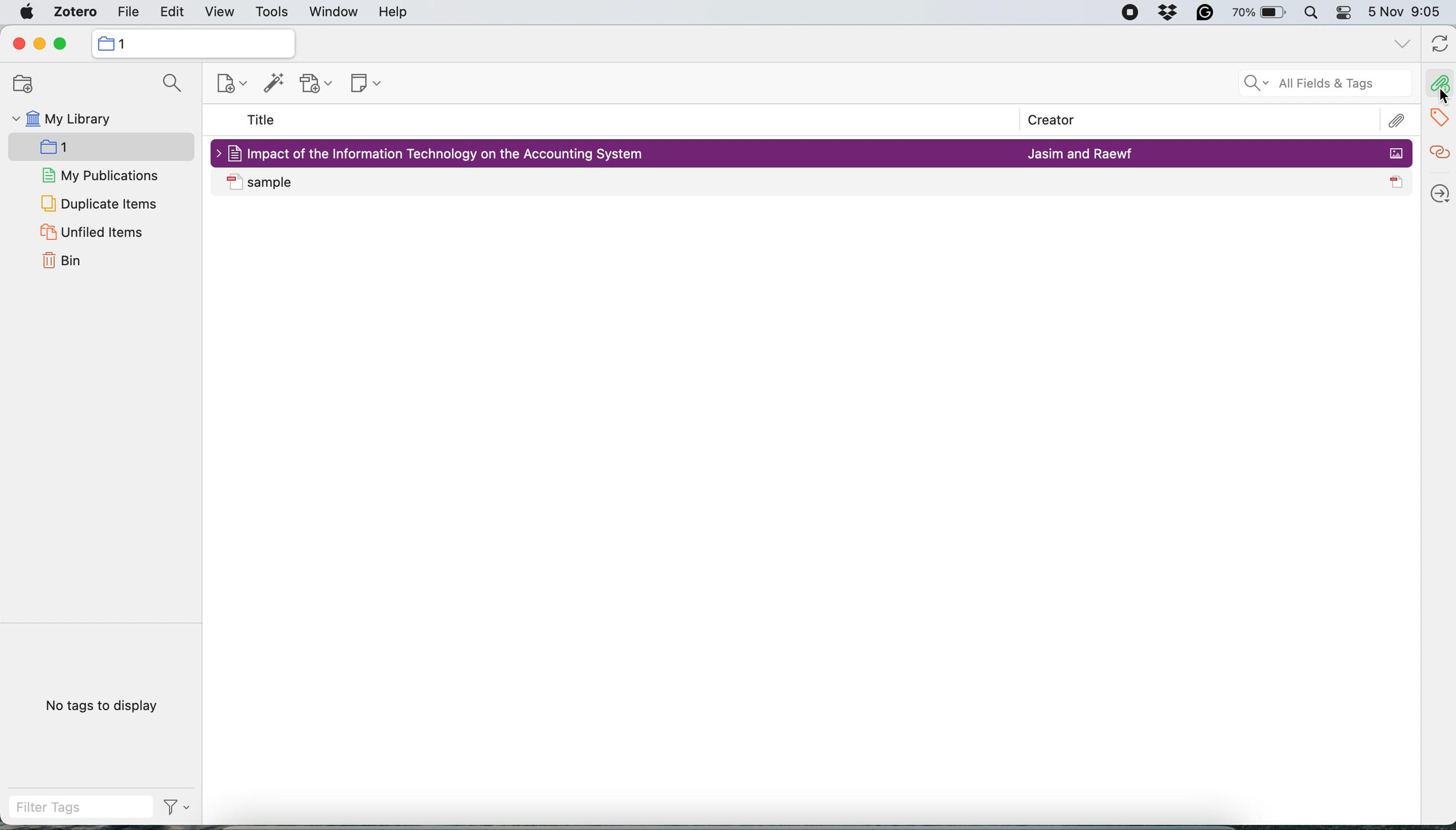  What do you see at coordinates (1121, 14) in the screenshot?
I see `screen recorder` at bounding box center [1121, 14].